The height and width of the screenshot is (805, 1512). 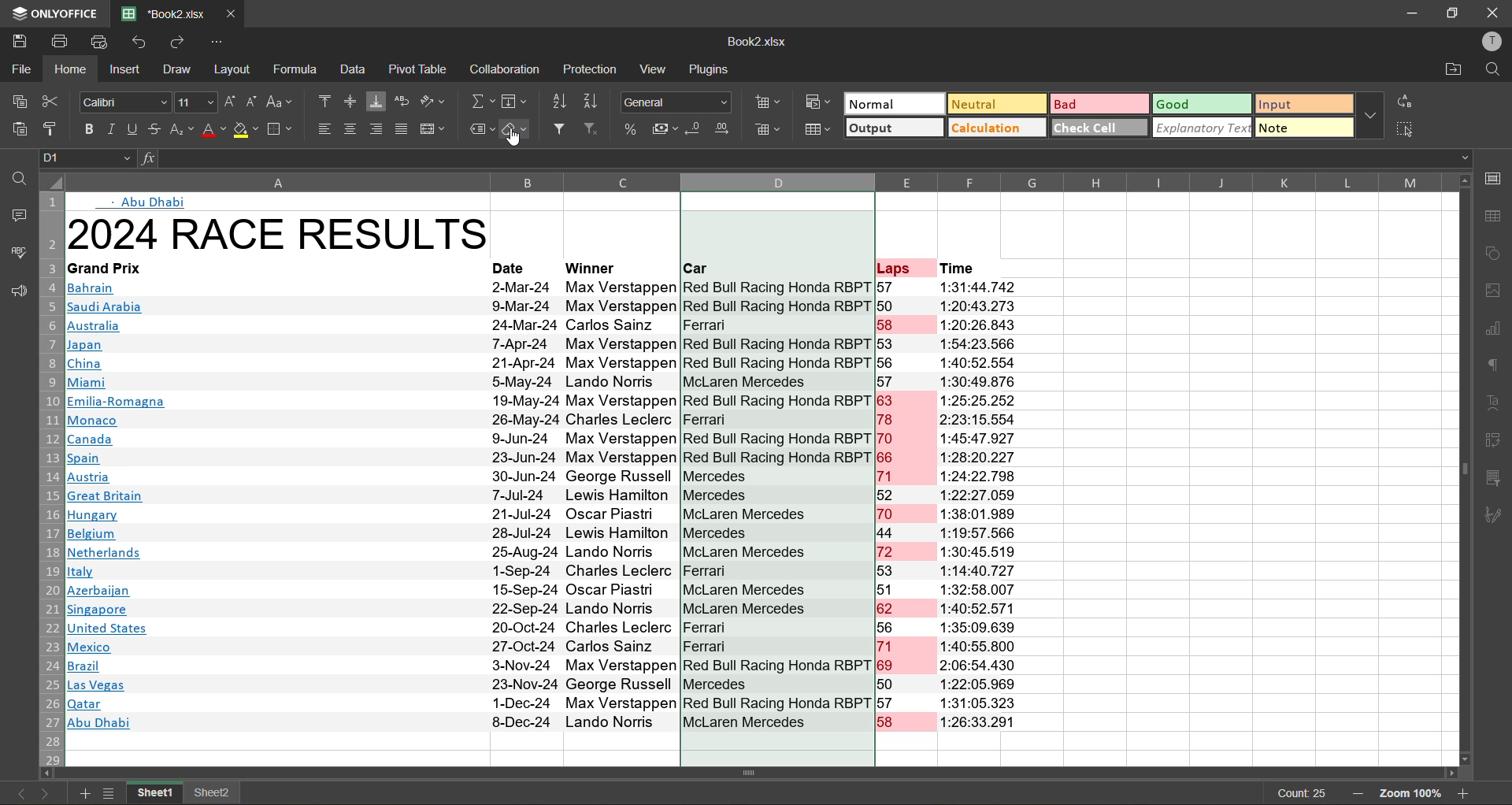 I want to click on *Book2.xlsx, so click(x=161, y=13).